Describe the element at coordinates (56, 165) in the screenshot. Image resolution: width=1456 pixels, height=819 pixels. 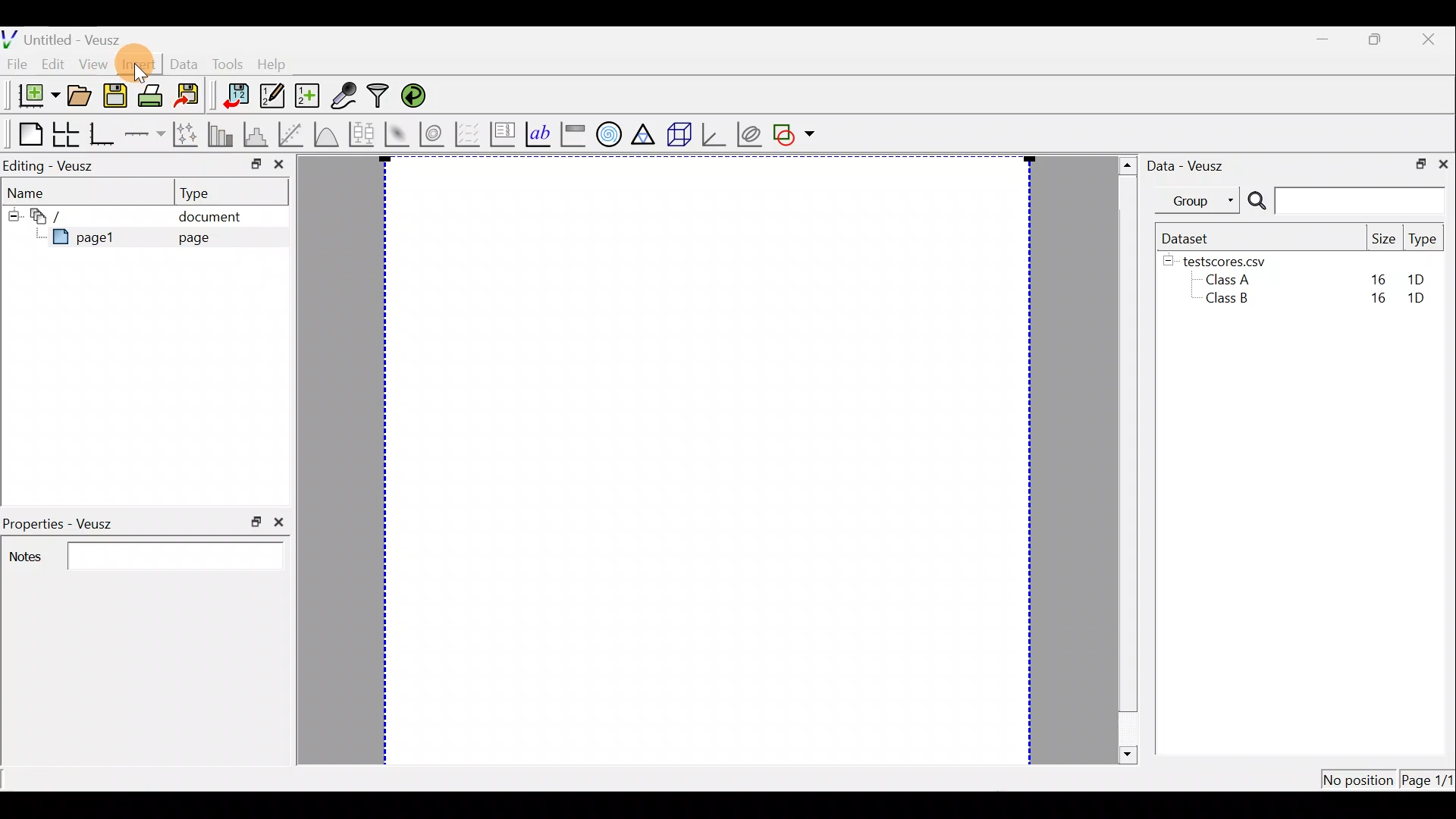
I see `Editing - Veusz` at that location.